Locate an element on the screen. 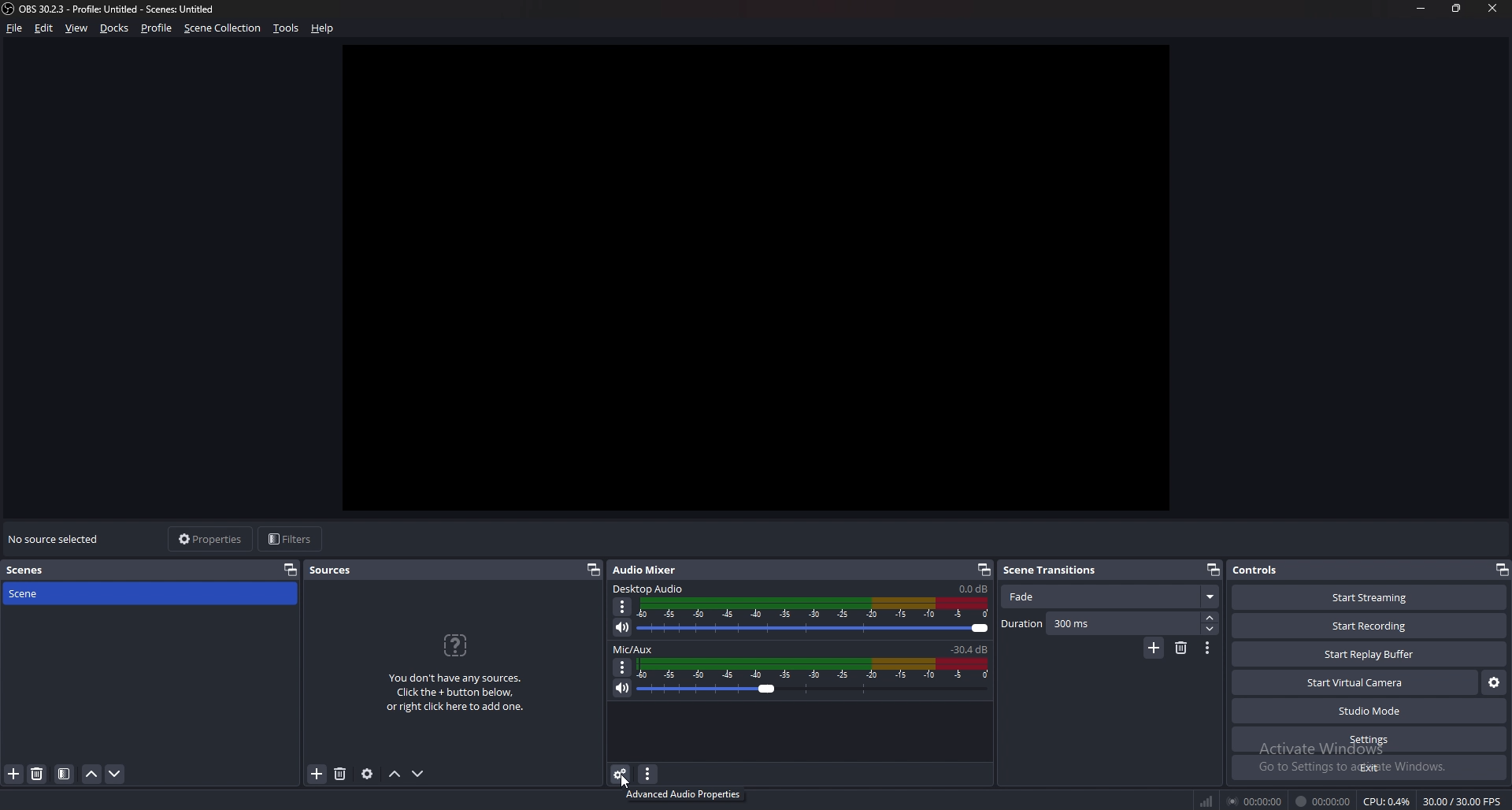 This screenshot has width=1512, height=810. move scene up is located at coordinates (92, 775).